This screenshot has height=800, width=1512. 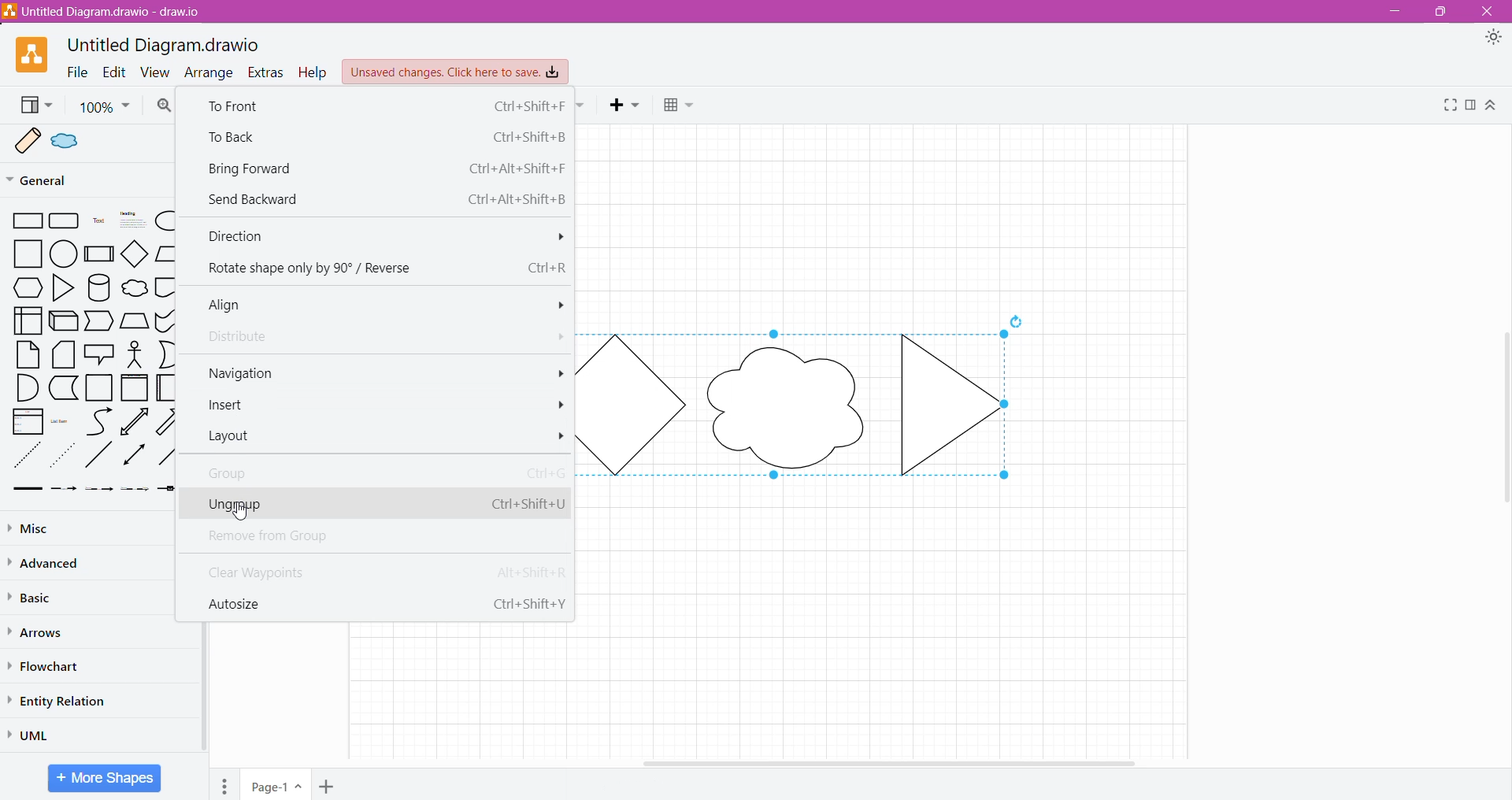 What do you see at coordinates (382, 604) in the screenshot?
I see `Autosize Ctrl+Shift+Y` at bounding box center [382, 604].